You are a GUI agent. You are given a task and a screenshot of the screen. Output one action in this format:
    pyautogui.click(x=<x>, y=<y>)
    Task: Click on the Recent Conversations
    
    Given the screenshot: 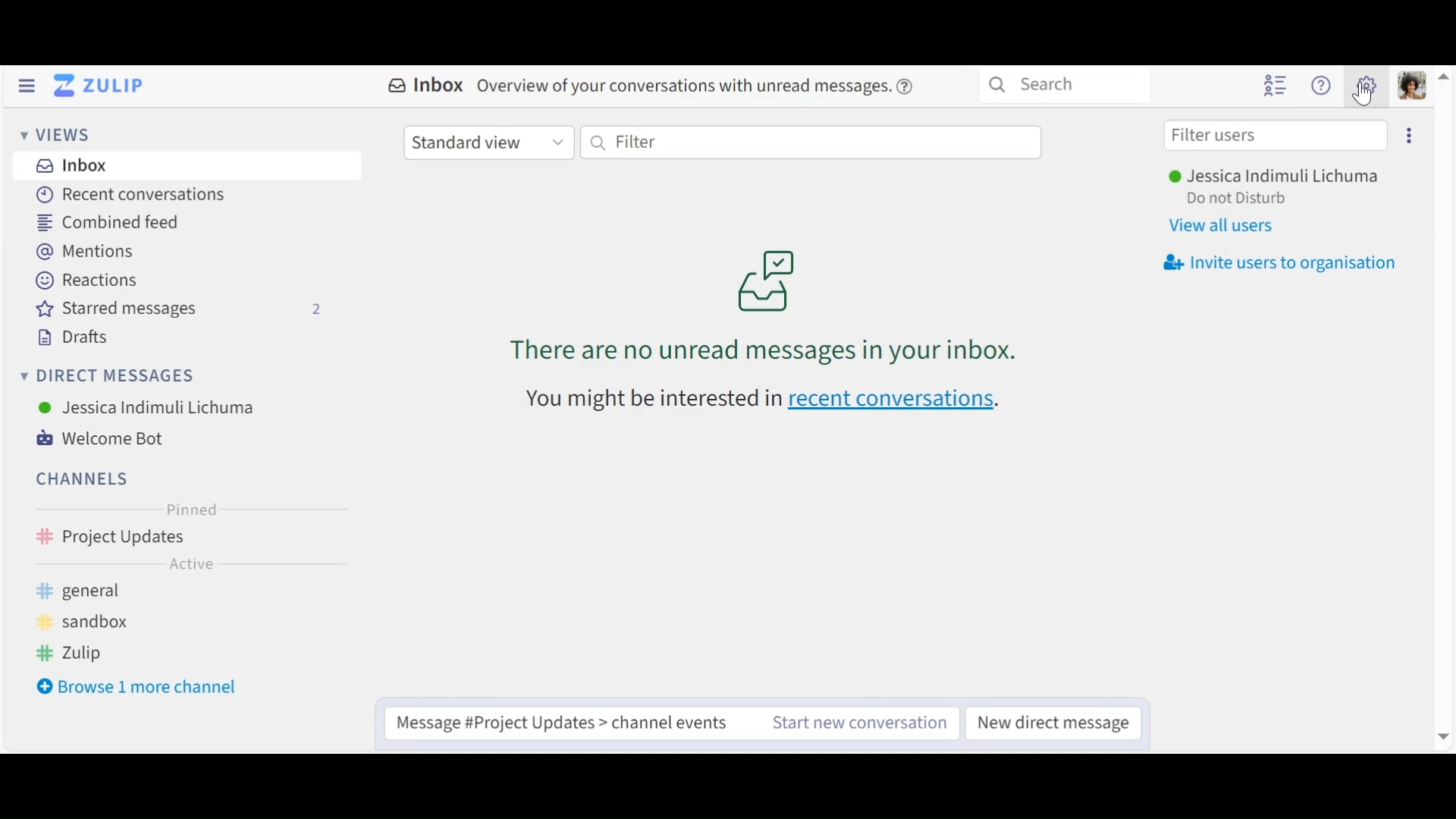 What is the action you would take?
    pyautogui.click(x=130, y=194)
    